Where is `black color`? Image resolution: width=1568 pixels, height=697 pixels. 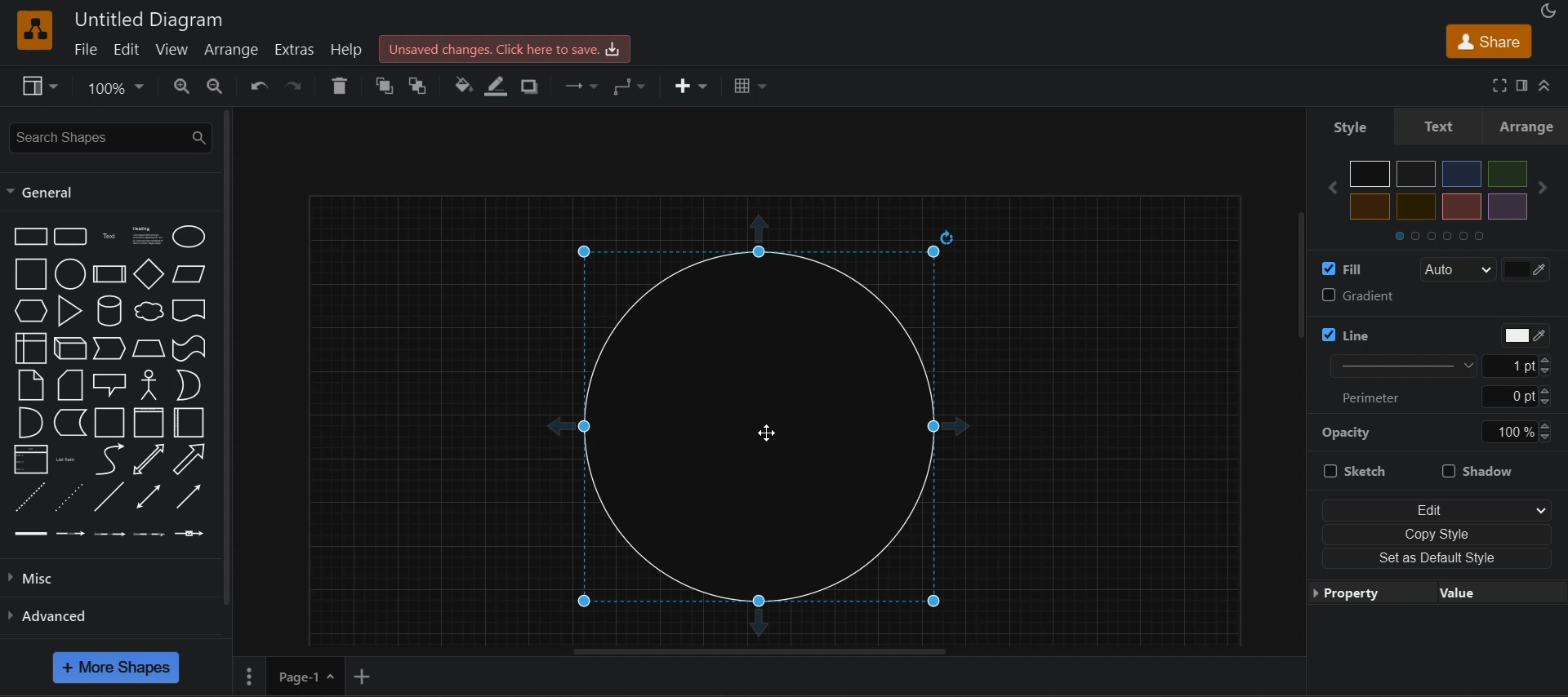 black color is located at coordinates (1370, 173).